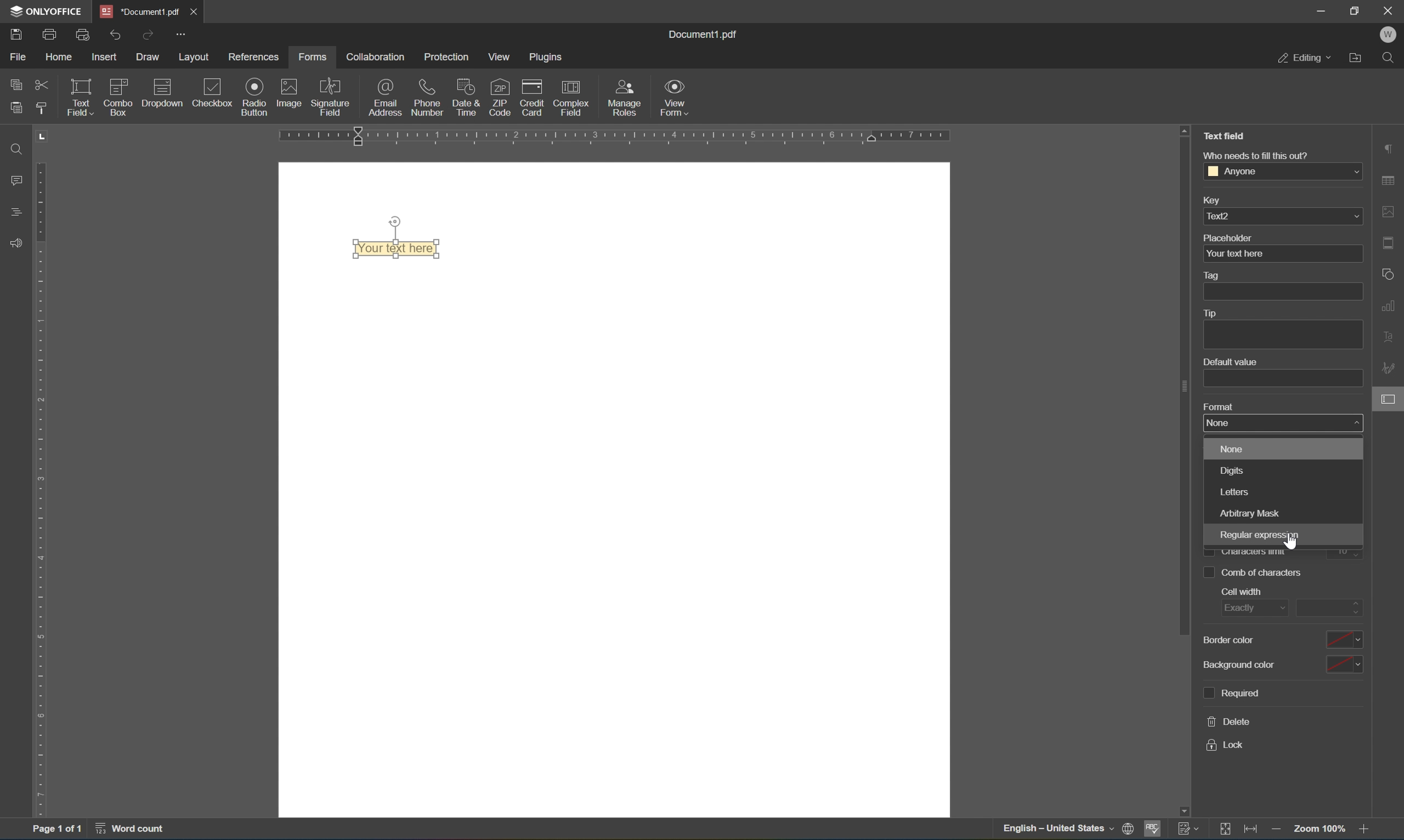  What do you see at coordinates (1281, 171) in the screenshot?
I see `anyone` at bounding box center [1281, 171].